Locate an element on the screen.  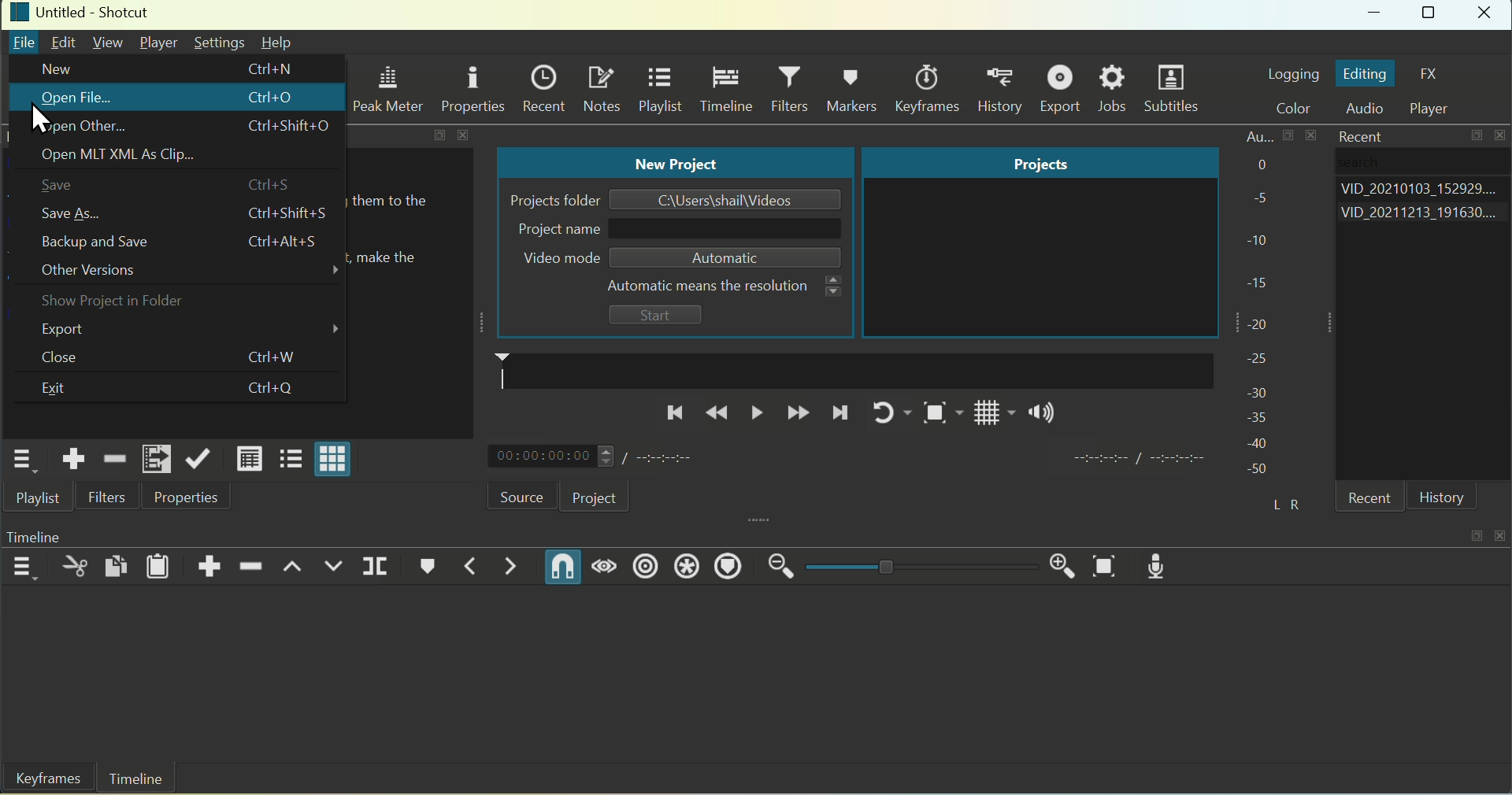
Ctrl+Alt+S is located at coordinates (287, 242).